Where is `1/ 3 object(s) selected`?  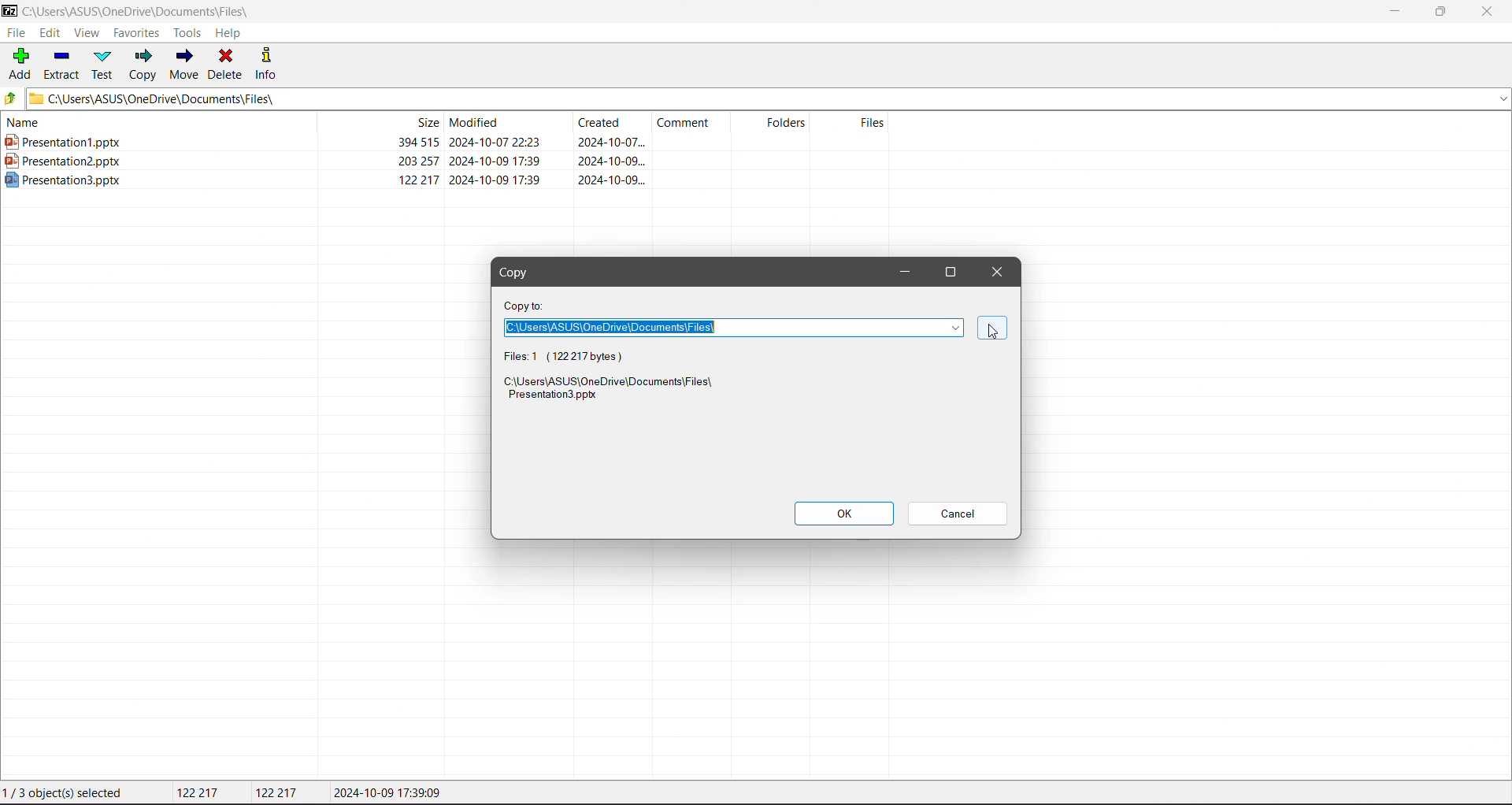 1/ 3 object(s) selected is located at coordinates (66, 794).